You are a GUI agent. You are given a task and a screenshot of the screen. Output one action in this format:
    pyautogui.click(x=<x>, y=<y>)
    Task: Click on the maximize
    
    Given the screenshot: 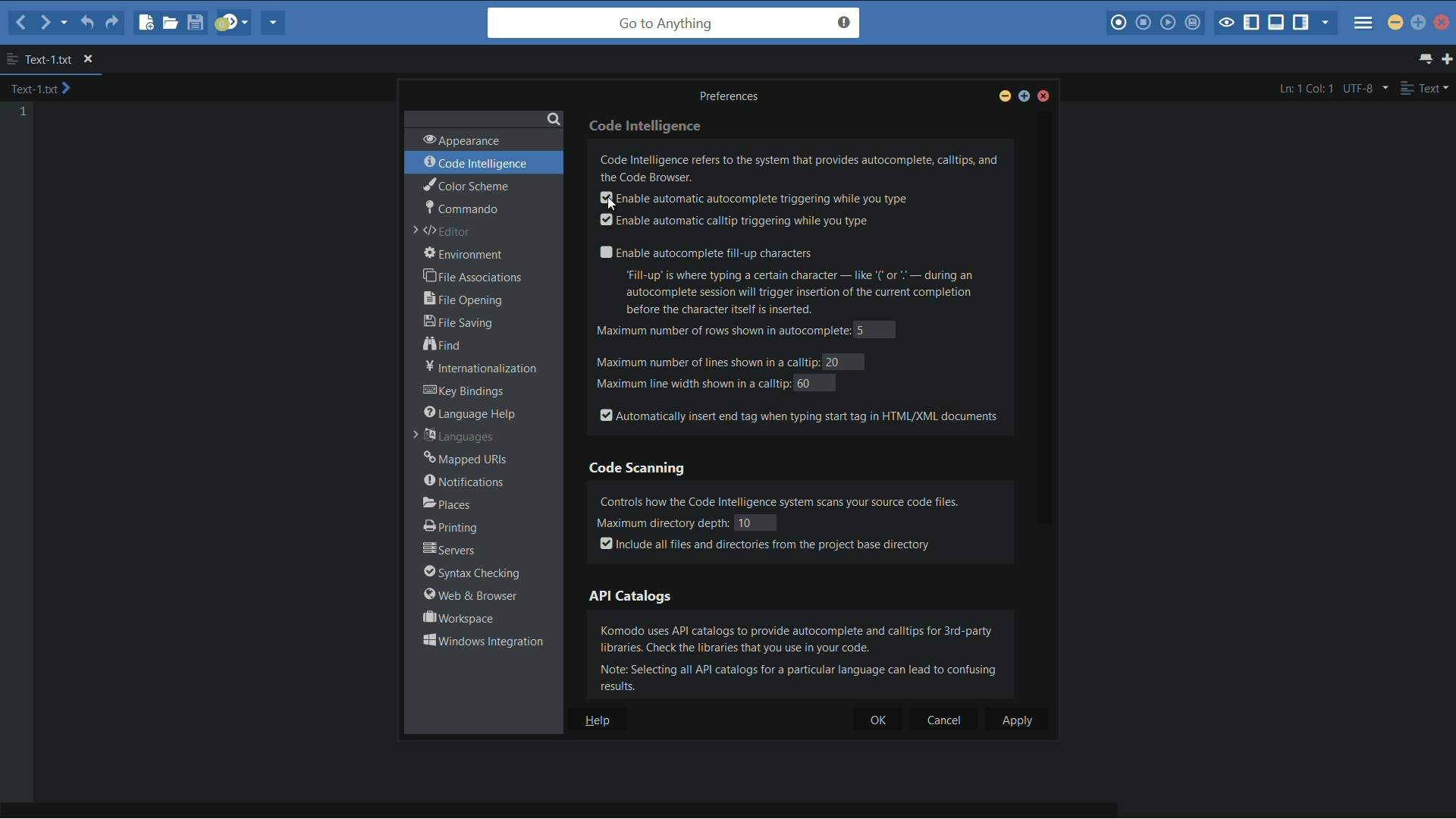 What is the action you would take?
    pyautogui.click(x=1418, y=22)
    